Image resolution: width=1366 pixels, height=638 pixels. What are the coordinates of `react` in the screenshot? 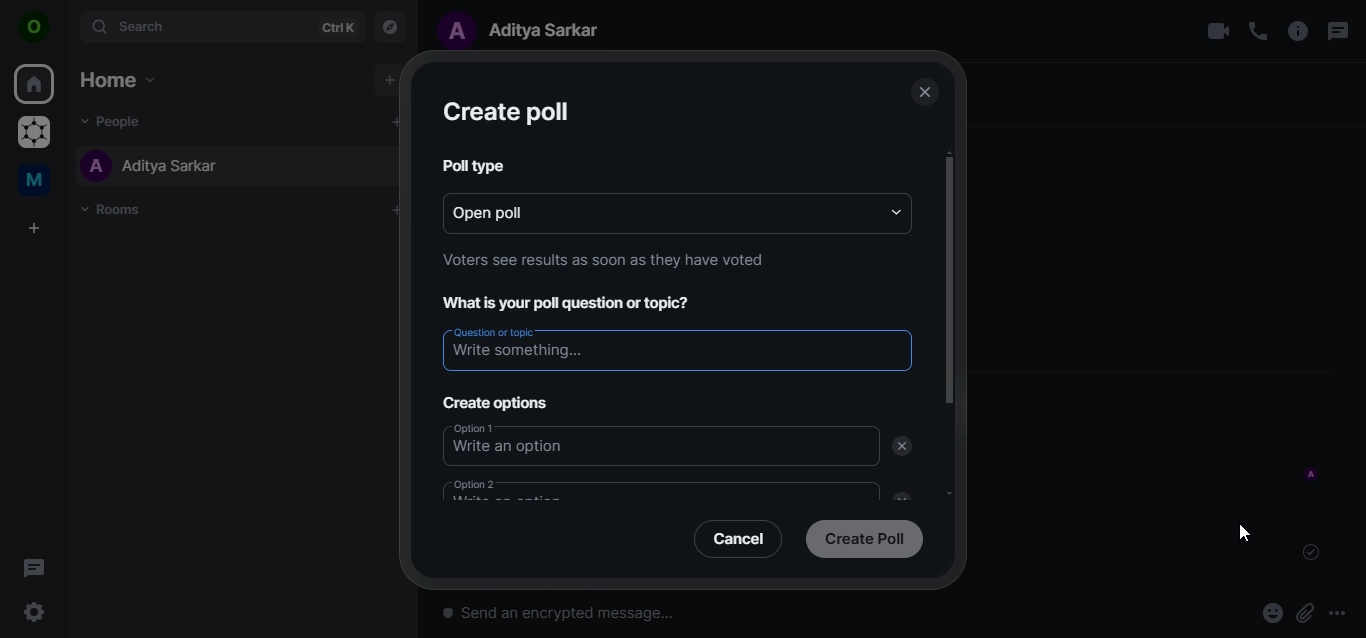 It's located at (1273, 615).